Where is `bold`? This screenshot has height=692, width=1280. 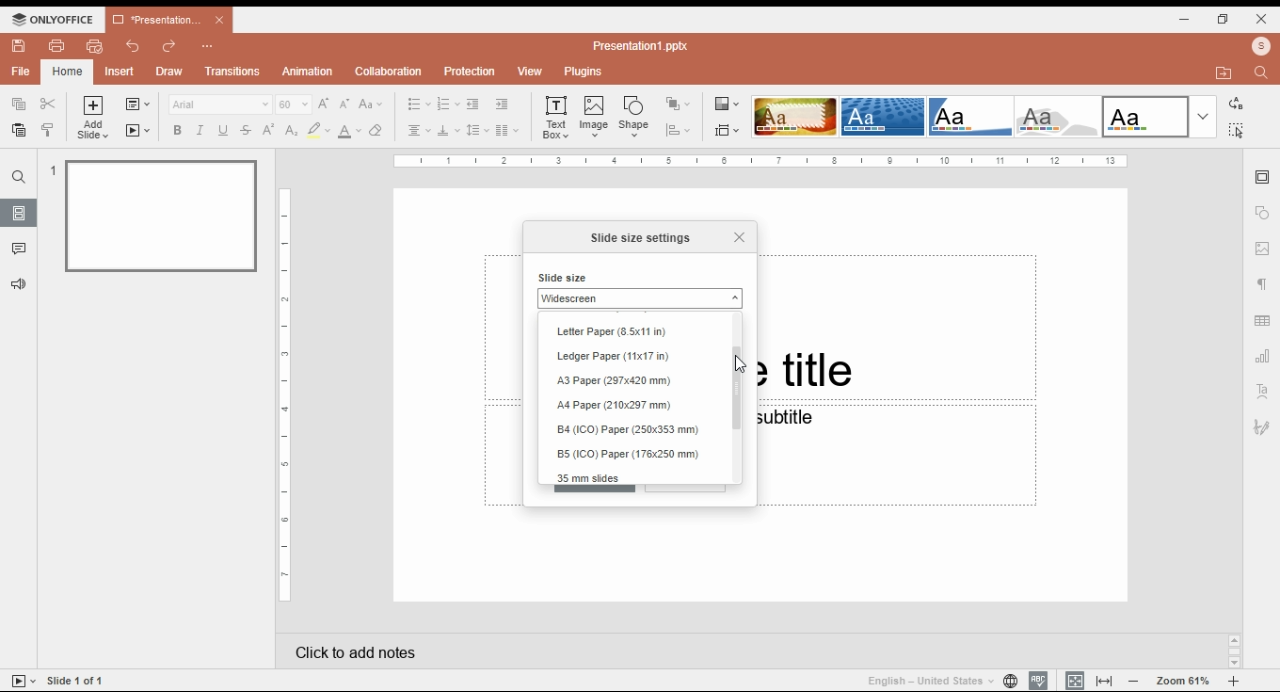 bold is located at coordinates (176, 130).